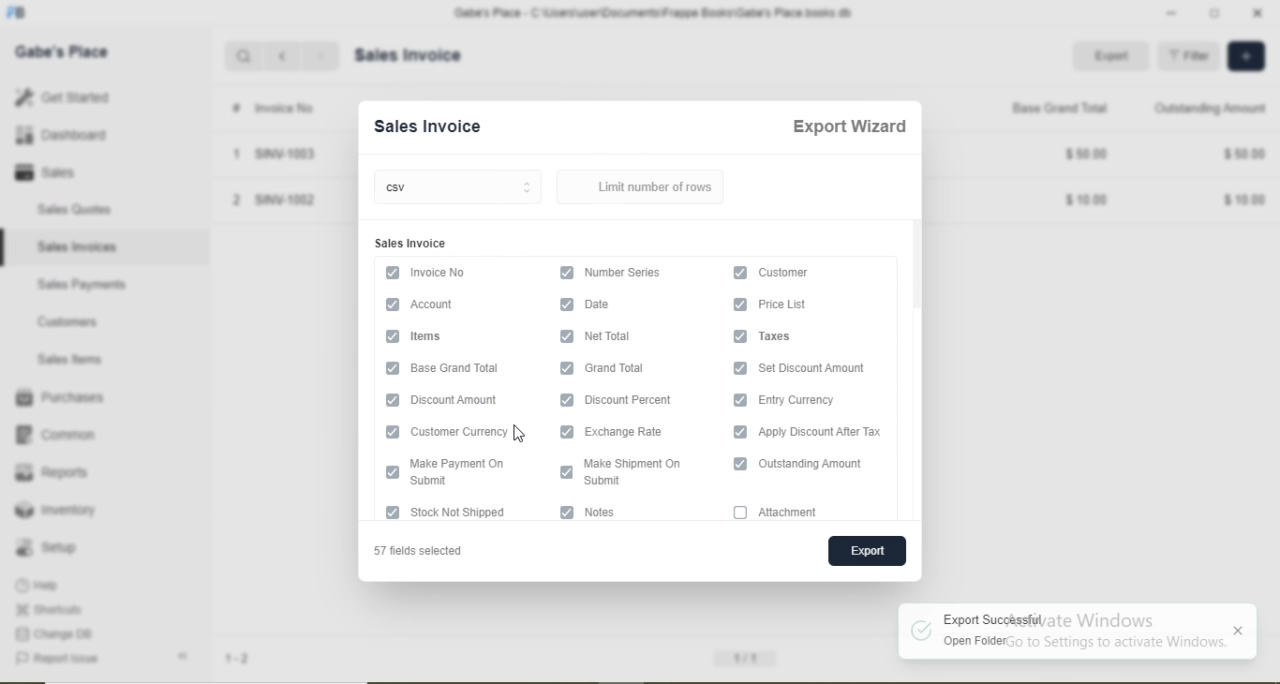  I want to click on Inventory, so click(57, 510).